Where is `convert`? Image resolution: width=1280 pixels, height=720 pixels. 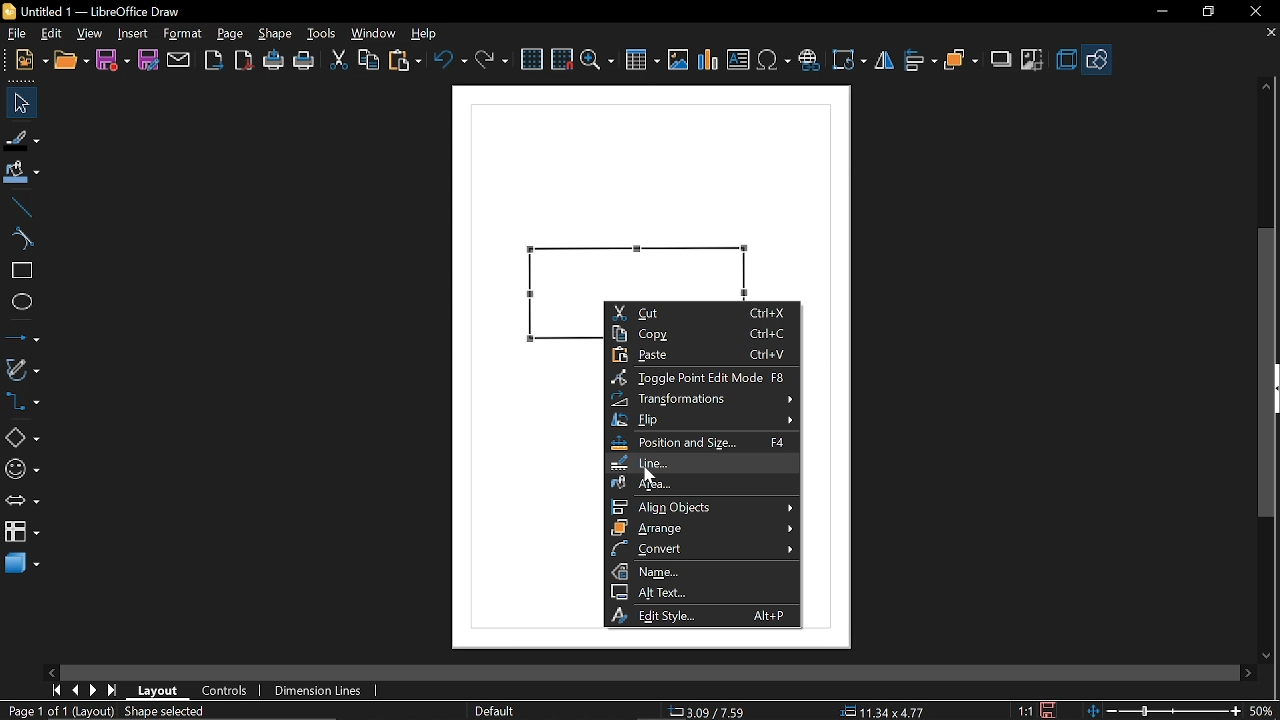 convert is located at coordinates (701, 549).